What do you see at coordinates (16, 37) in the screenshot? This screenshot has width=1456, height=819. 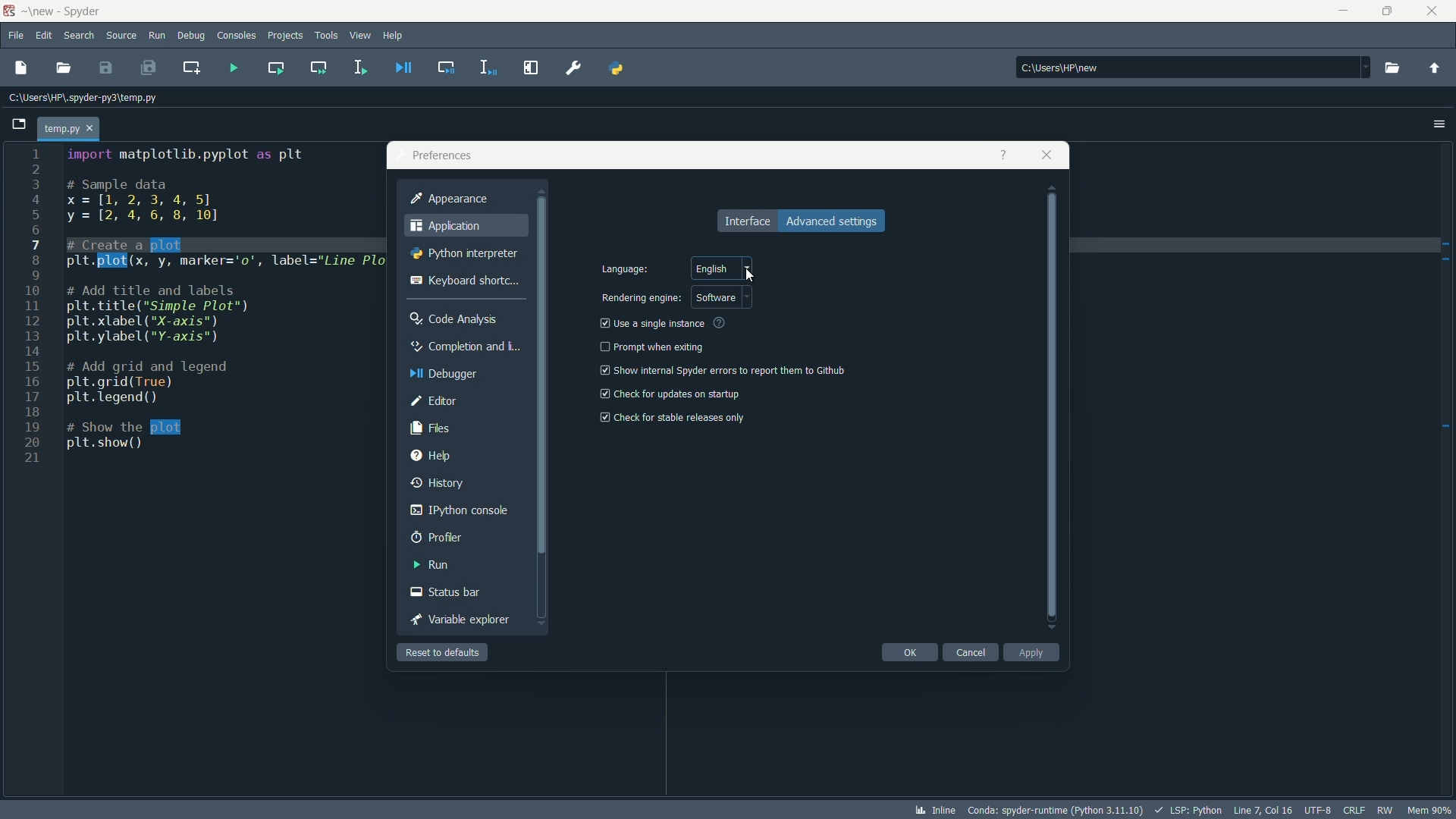 I see `file` at bounding box center [16, 37].